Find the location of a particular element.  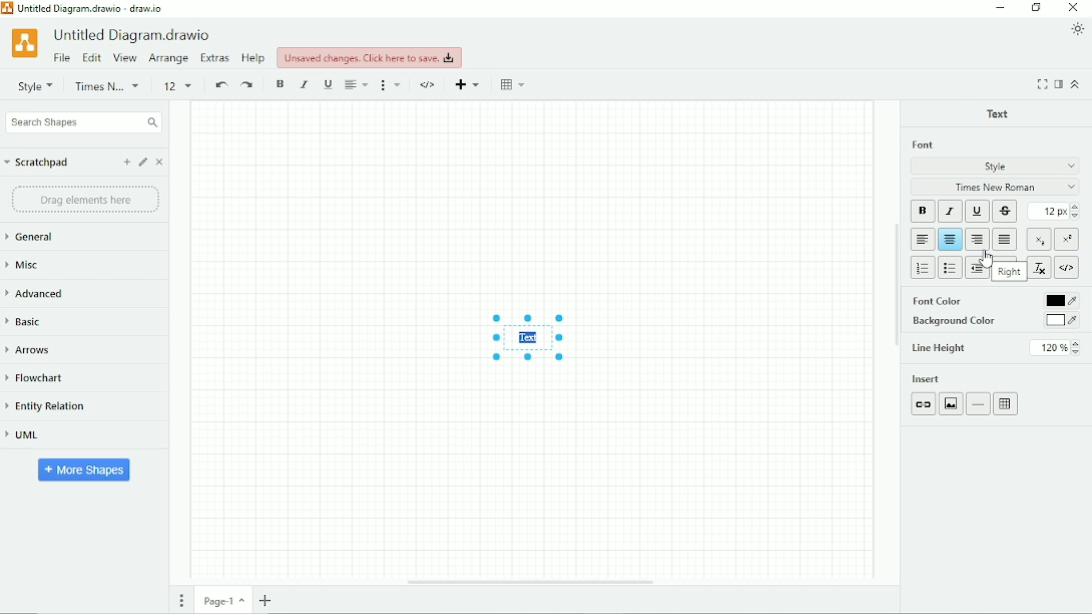

Table is located at coordinates (1007, 403).